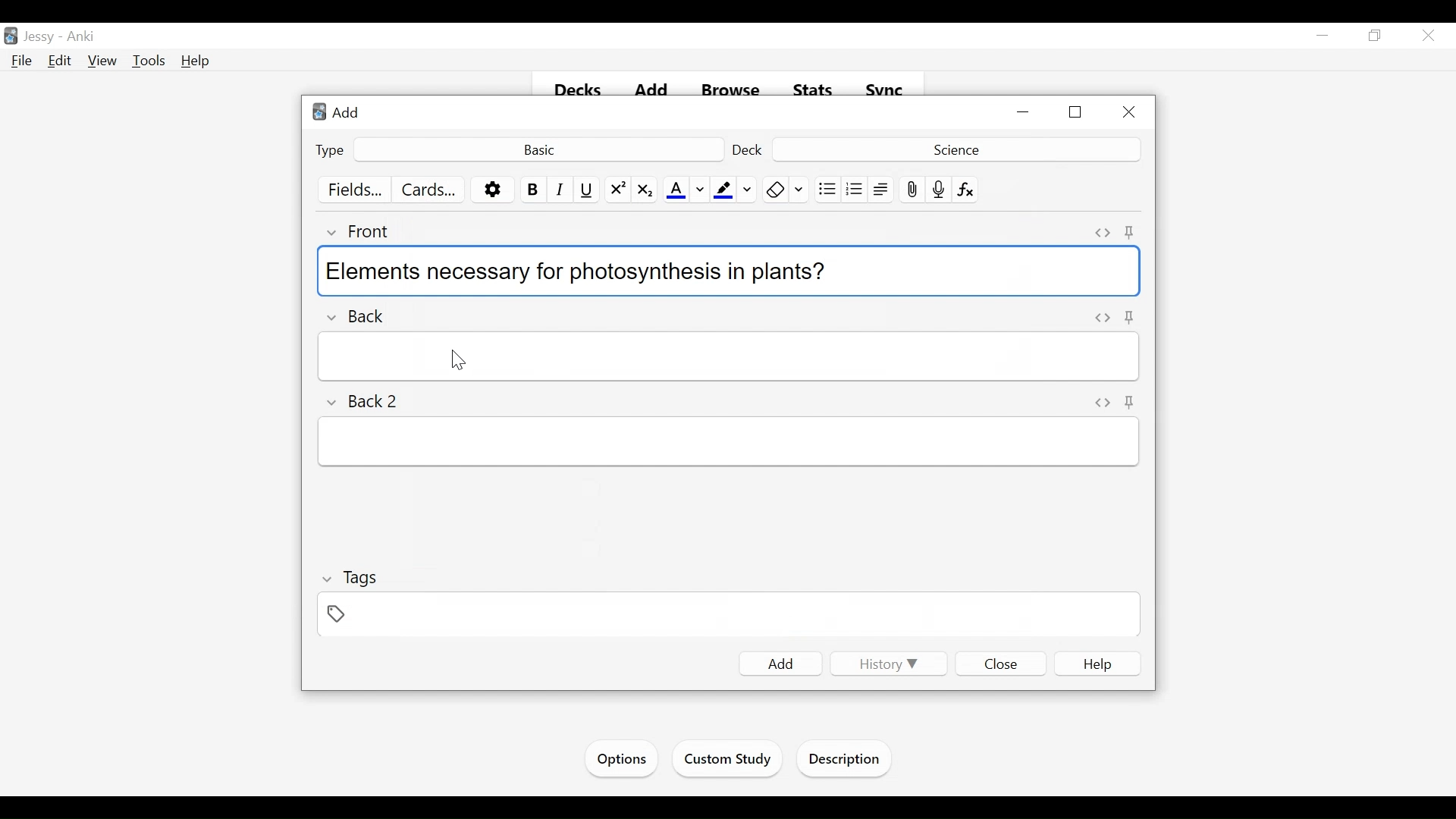  I want to click on Options, so click(620, 759).